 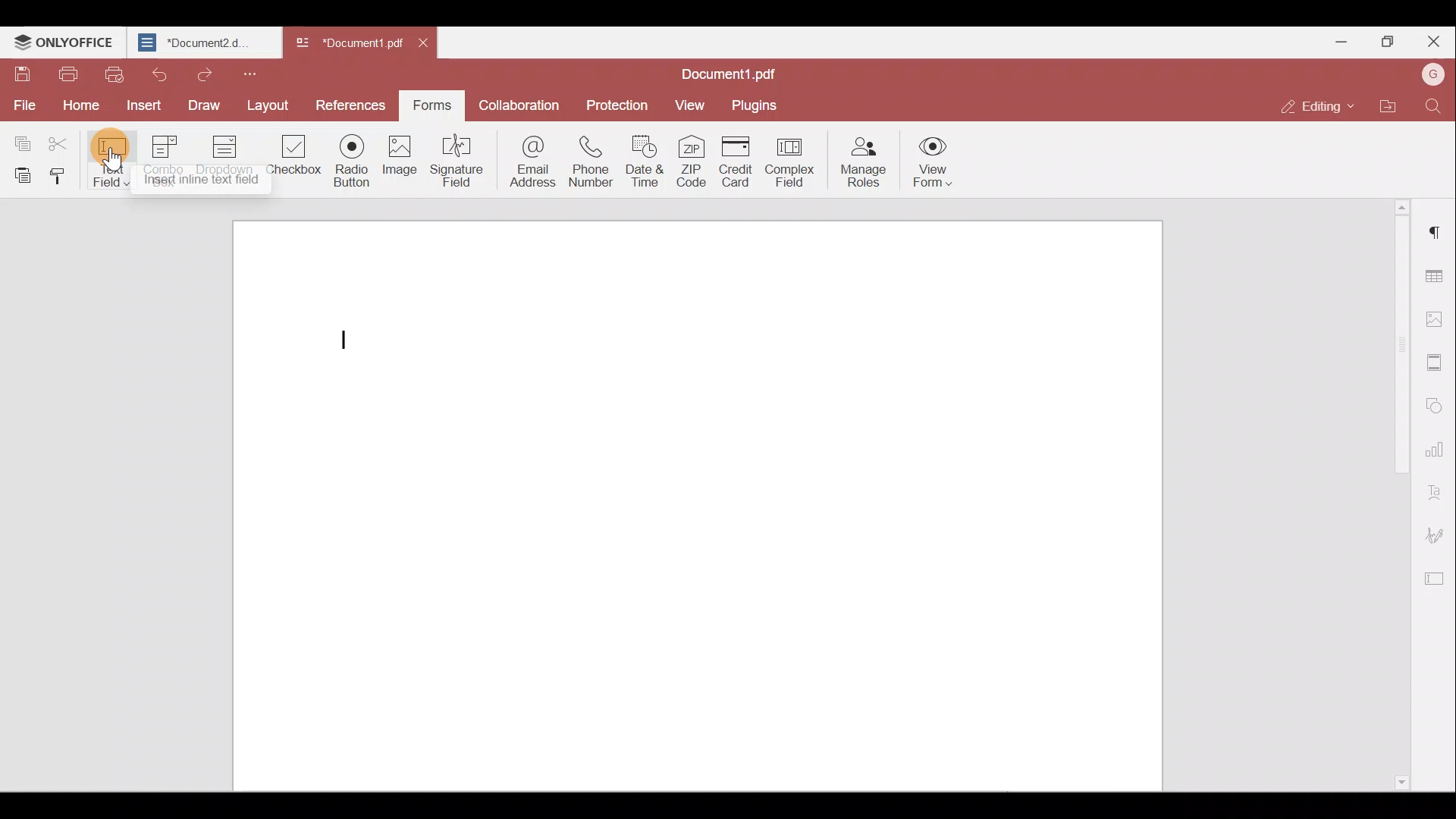 What do you see at coordinates (112, 161) in the screenshot?
I see `Text field` at bounding box center [112, 161].